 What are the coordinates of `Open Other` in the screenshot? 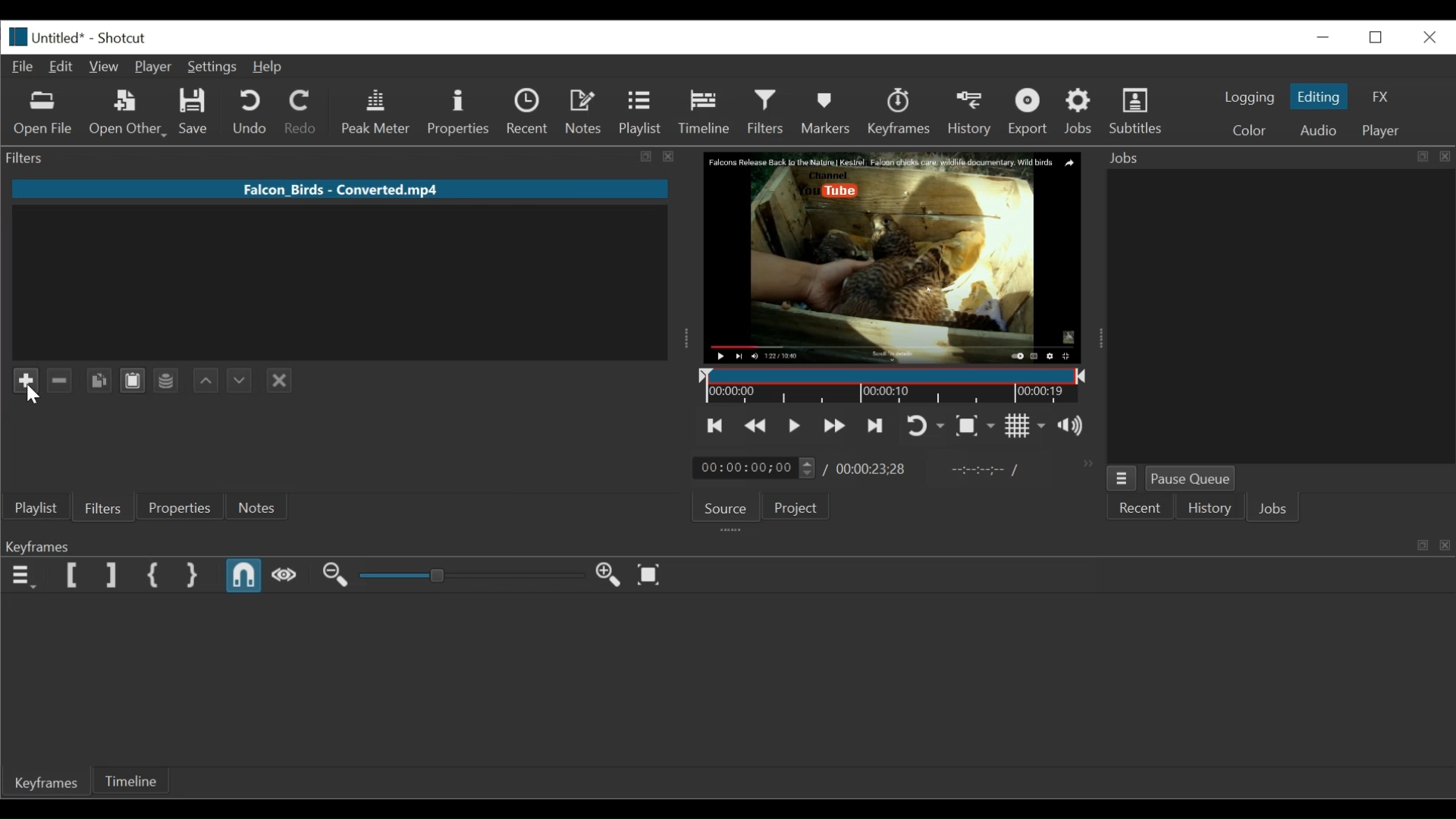 It's located at (129, 113).